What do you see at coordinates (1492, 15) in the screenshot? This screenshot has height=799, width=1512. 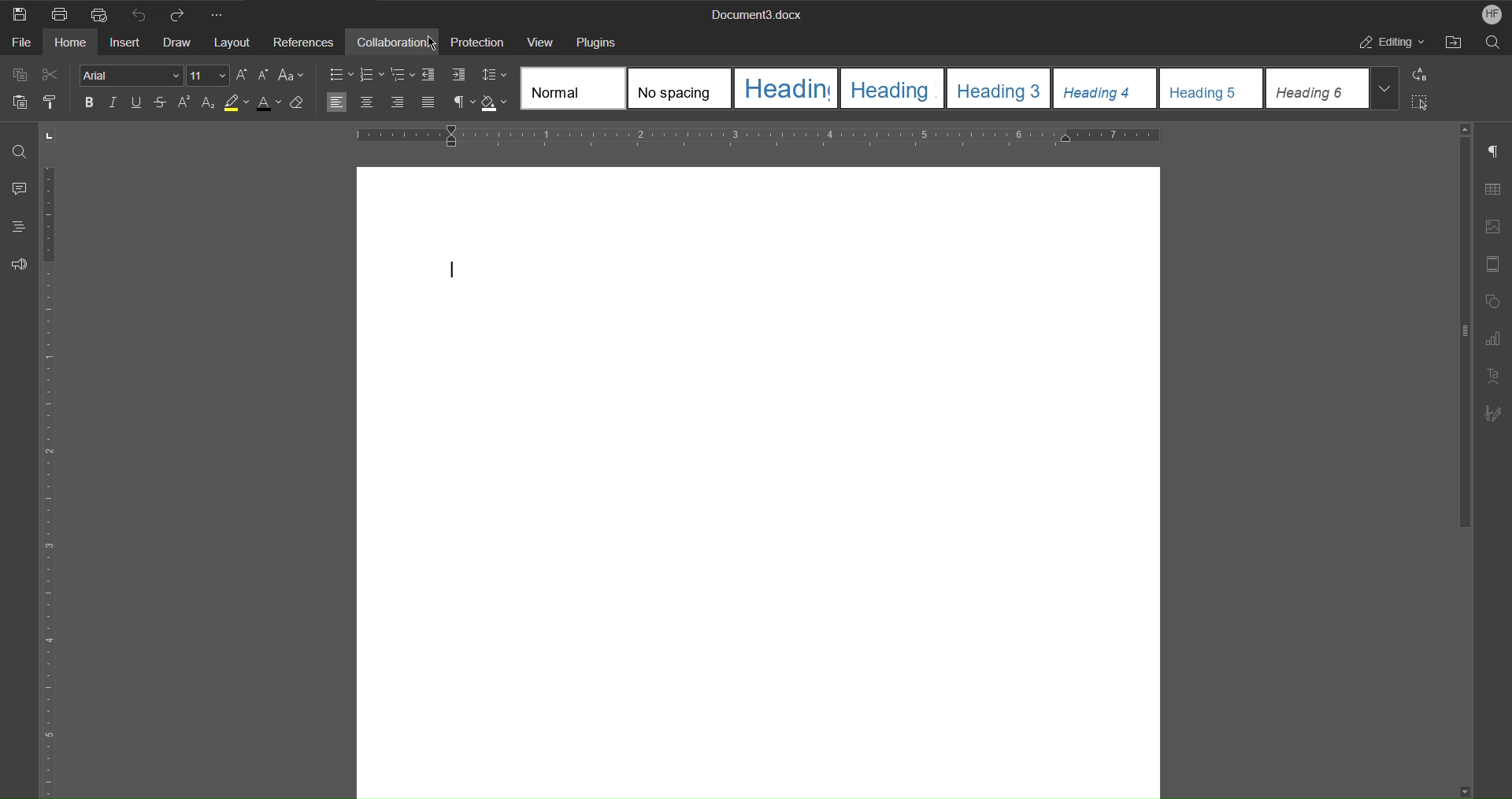 I see `HF` at bounding box center [1492, 15].